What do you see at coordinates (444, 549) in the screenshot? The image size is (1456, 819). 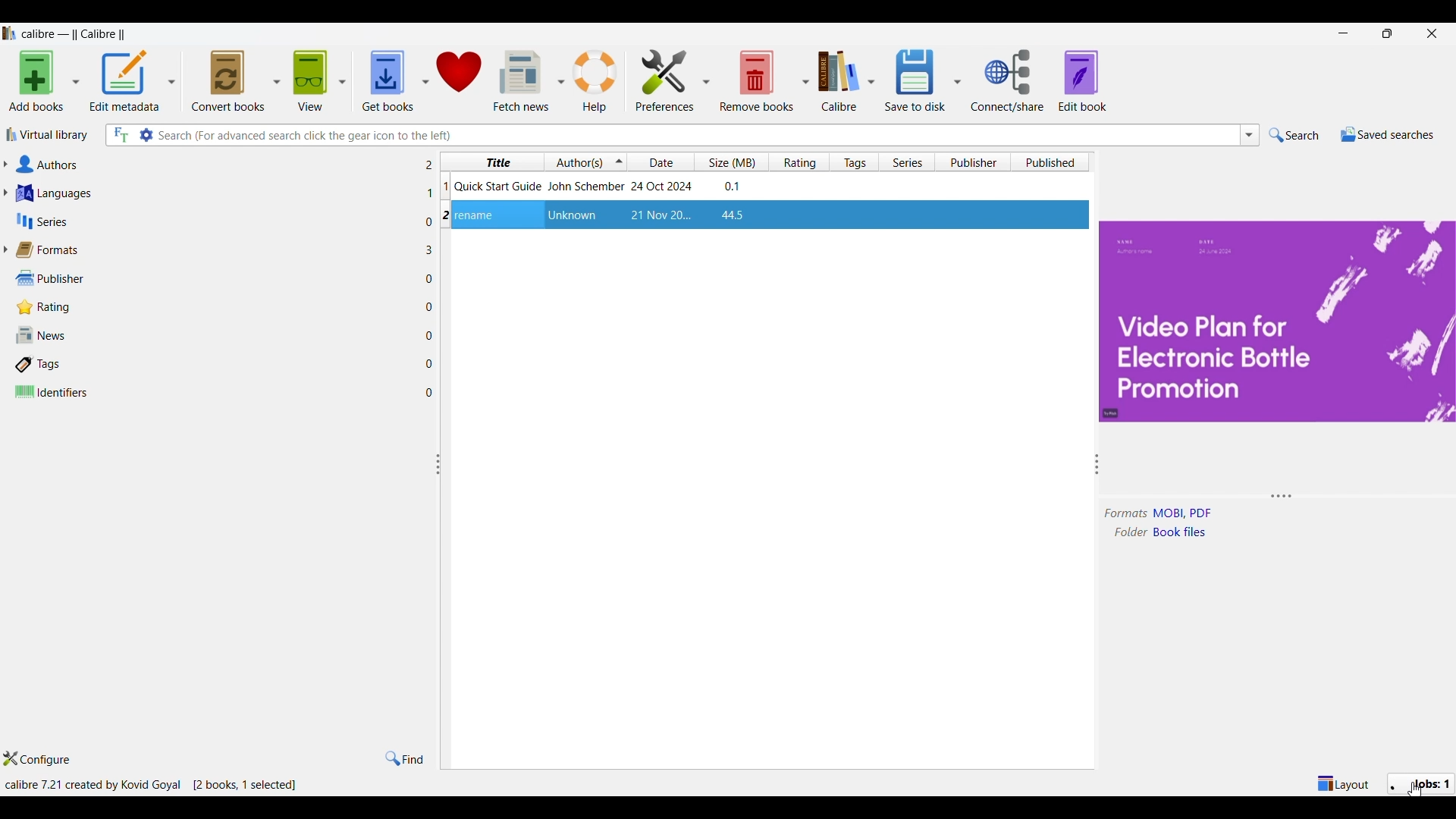 I see `Change width of columns attached` at bounding box center [444, 549].